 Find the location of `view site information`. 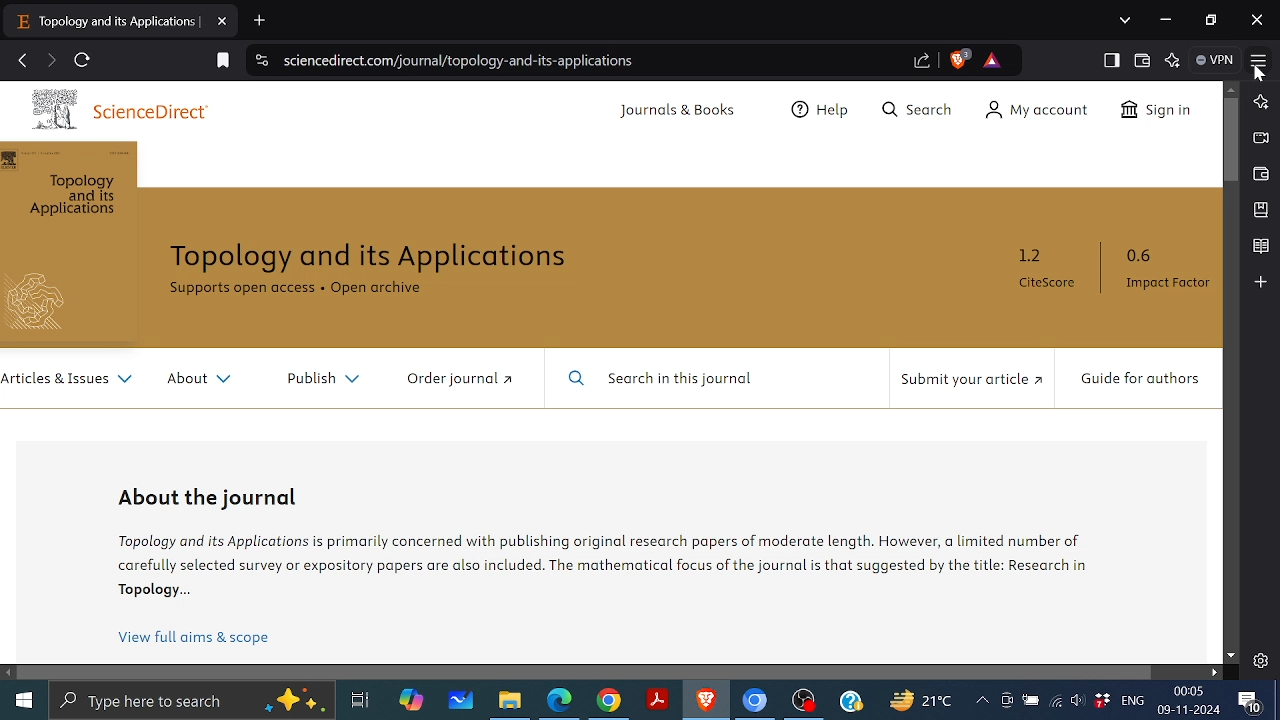

view site information is located at coordinates (260, 61).